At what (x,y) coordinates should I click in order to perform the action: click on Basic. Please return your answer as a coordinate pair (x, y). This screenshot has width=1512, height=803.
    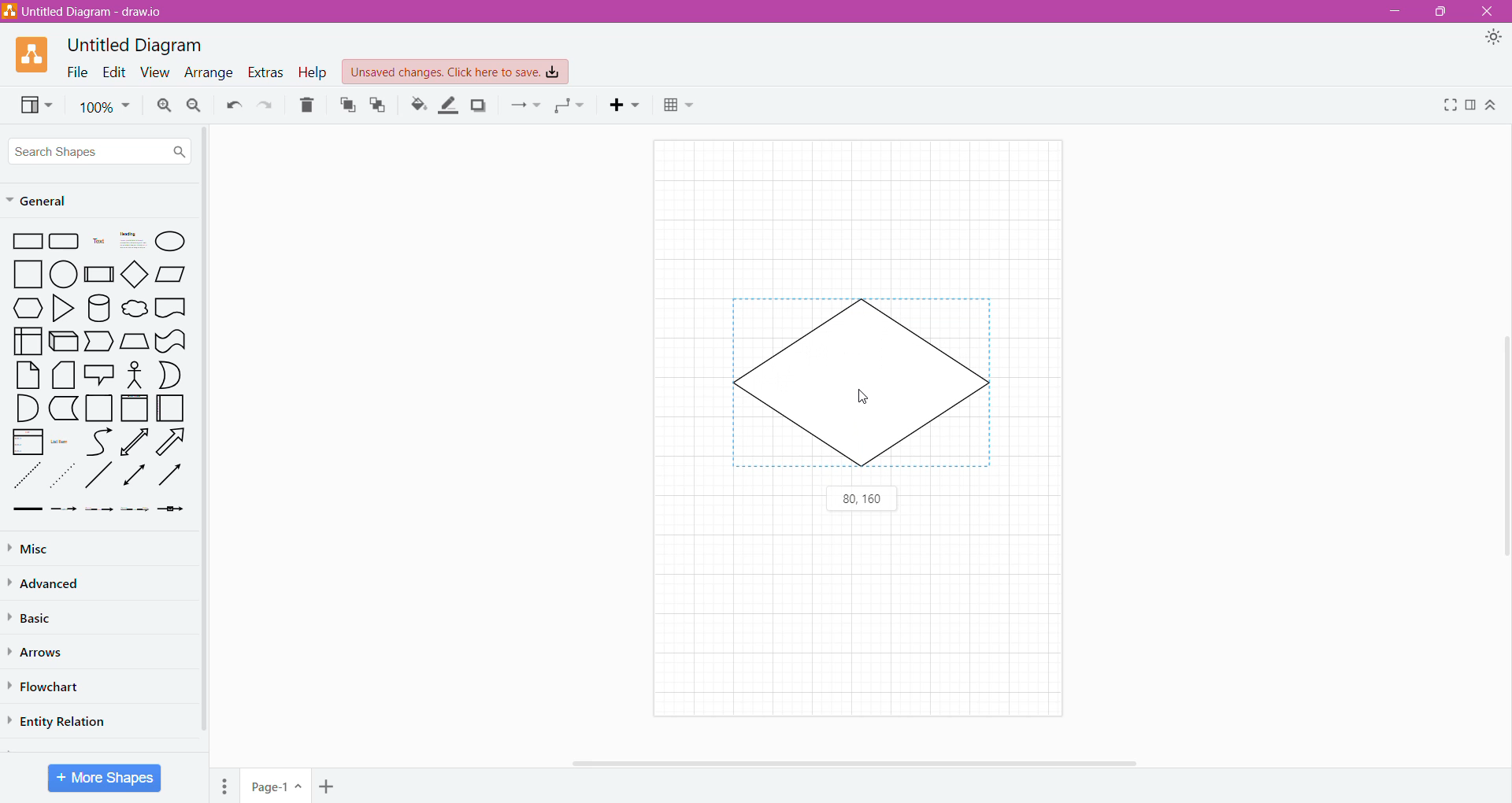
    Looking at the image, I should click on (35, 616).